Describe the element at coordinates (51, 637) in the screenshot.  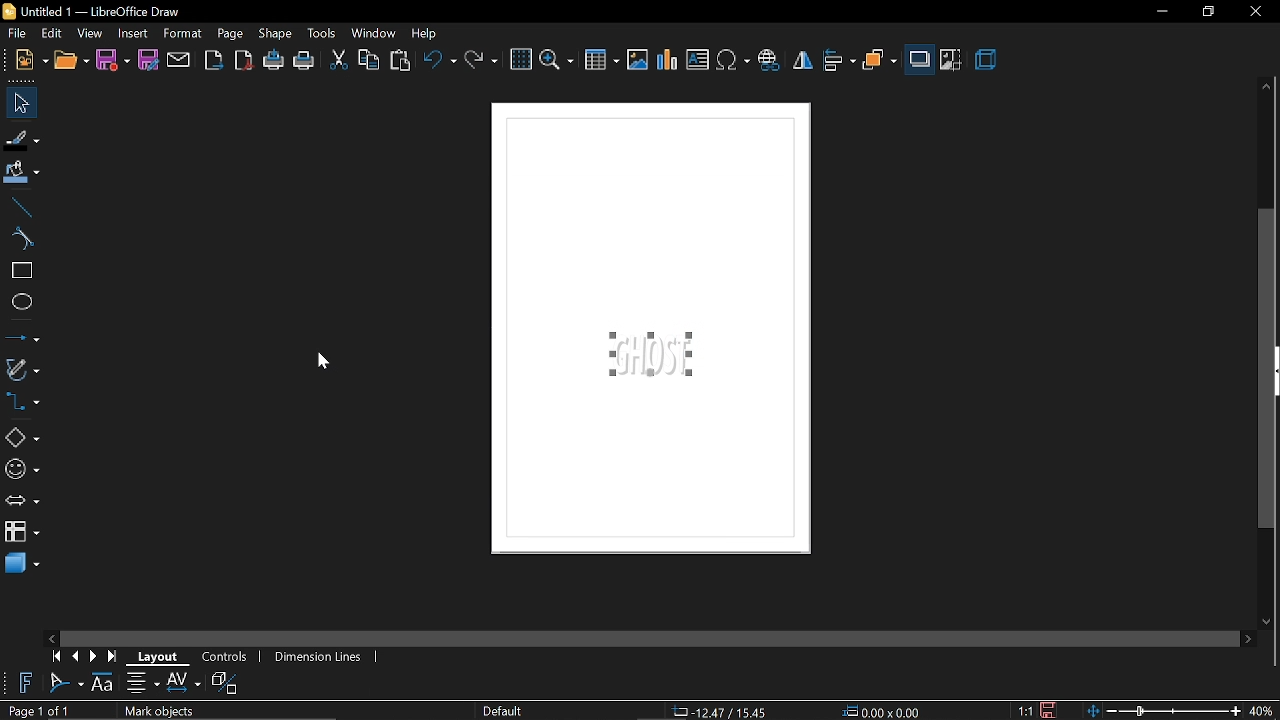
I see `move left` at that location.